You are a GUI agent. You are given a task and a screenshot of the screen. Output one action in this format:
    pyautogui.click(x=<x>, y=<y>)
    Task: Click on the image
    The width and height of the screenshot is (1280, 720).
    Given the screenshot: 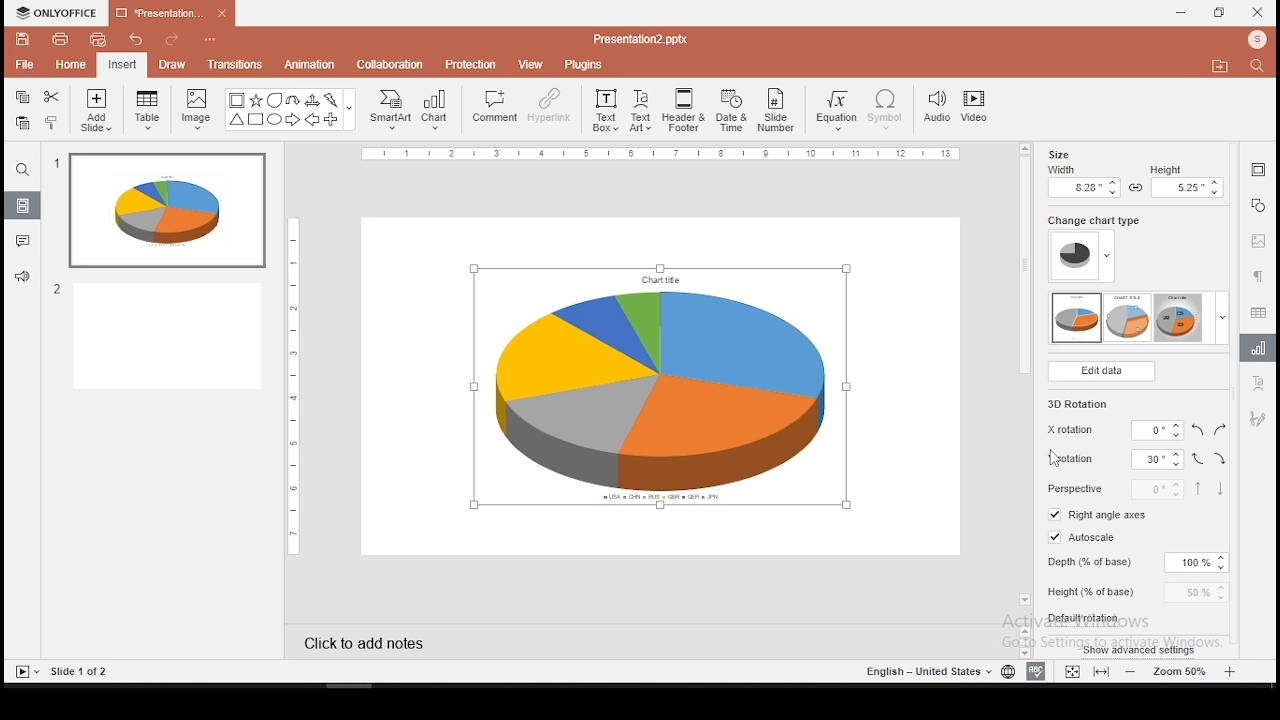 What is the action you would take?
    pyautogui.click(x=196, y=111)
    